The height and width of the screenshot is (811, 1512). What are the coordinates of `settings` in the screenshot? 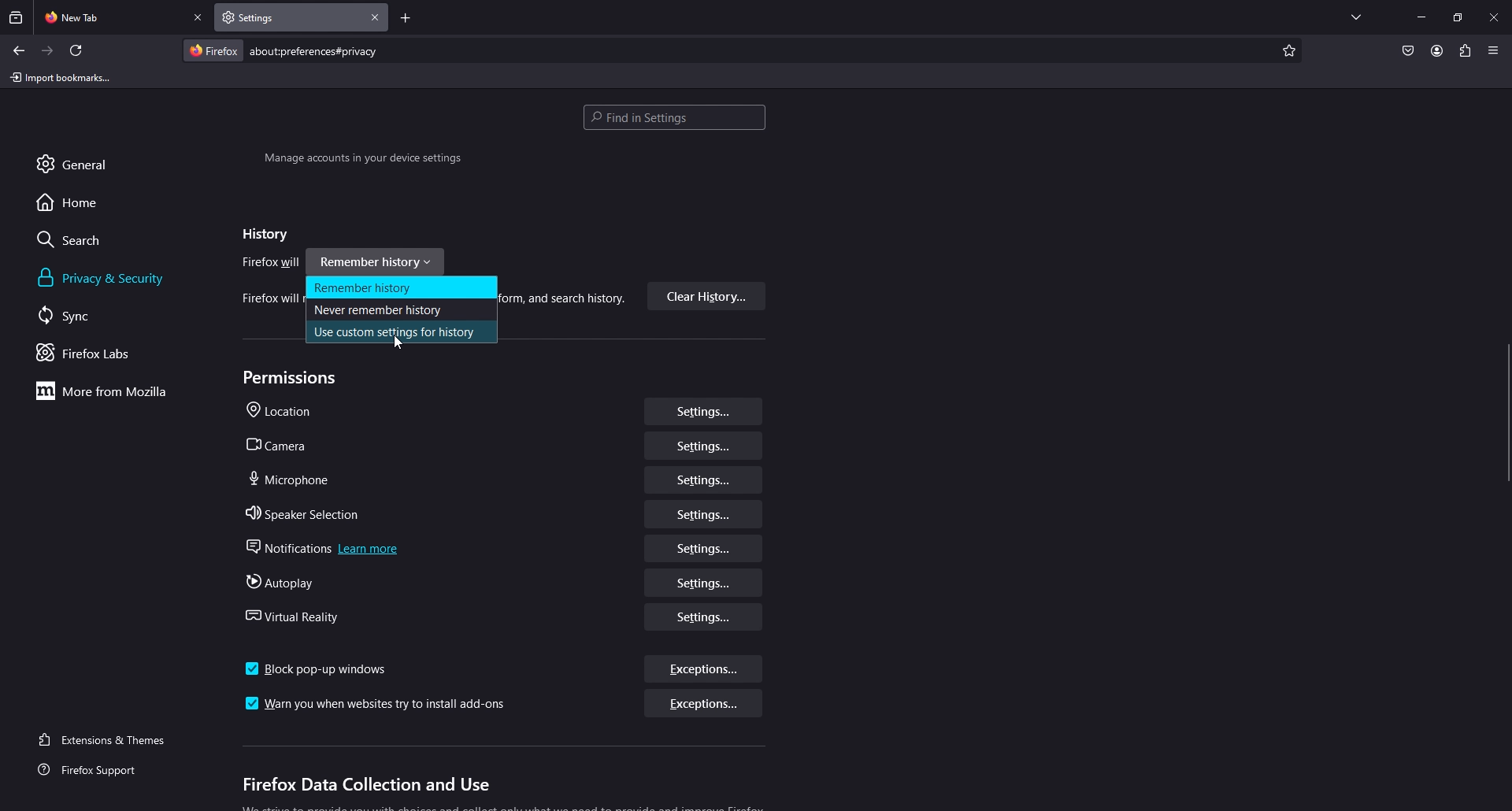 It's located at (703, 411).